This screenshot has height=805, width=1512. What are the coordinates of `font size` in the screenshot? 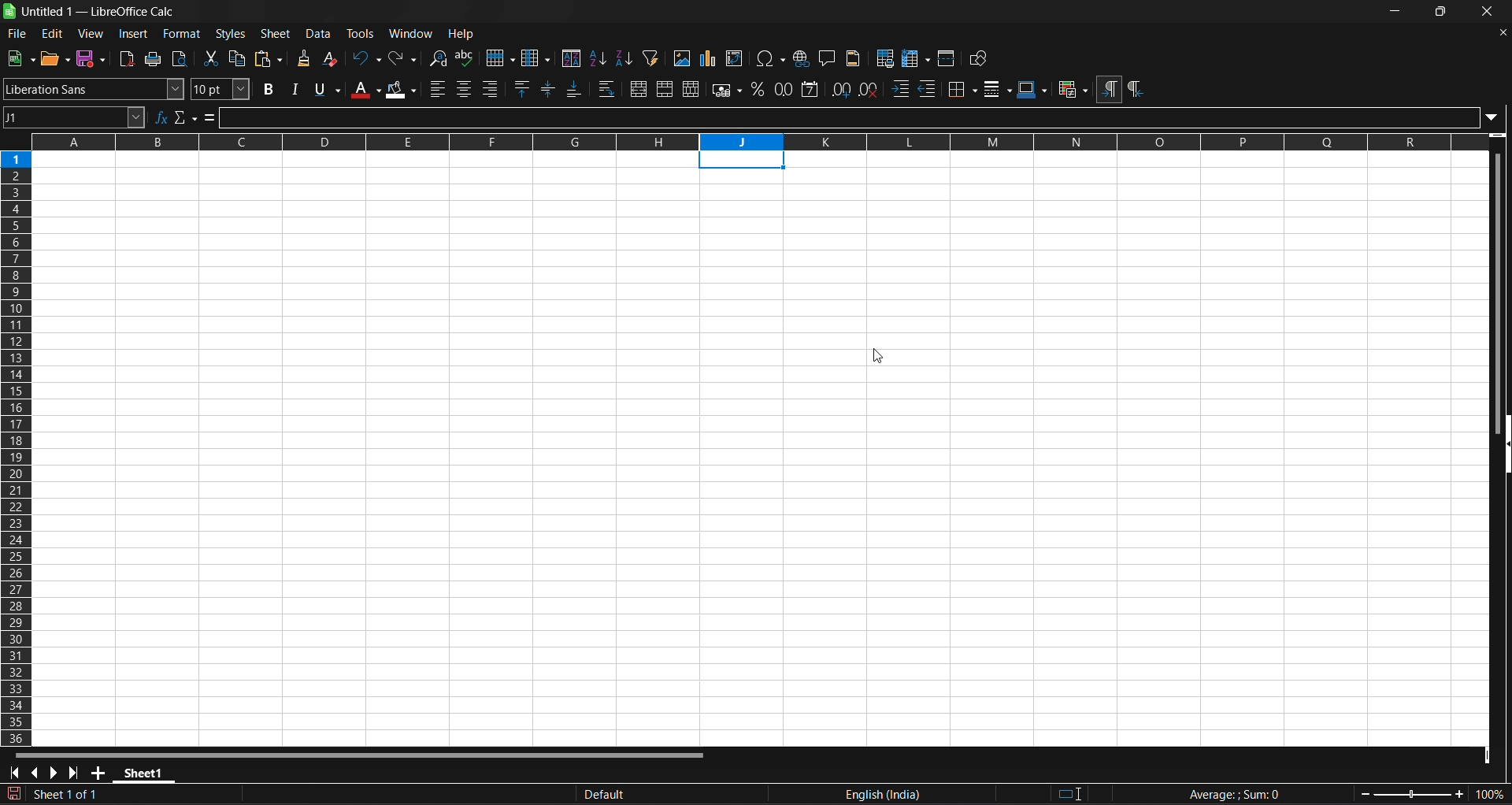 It's located at (218, 89).